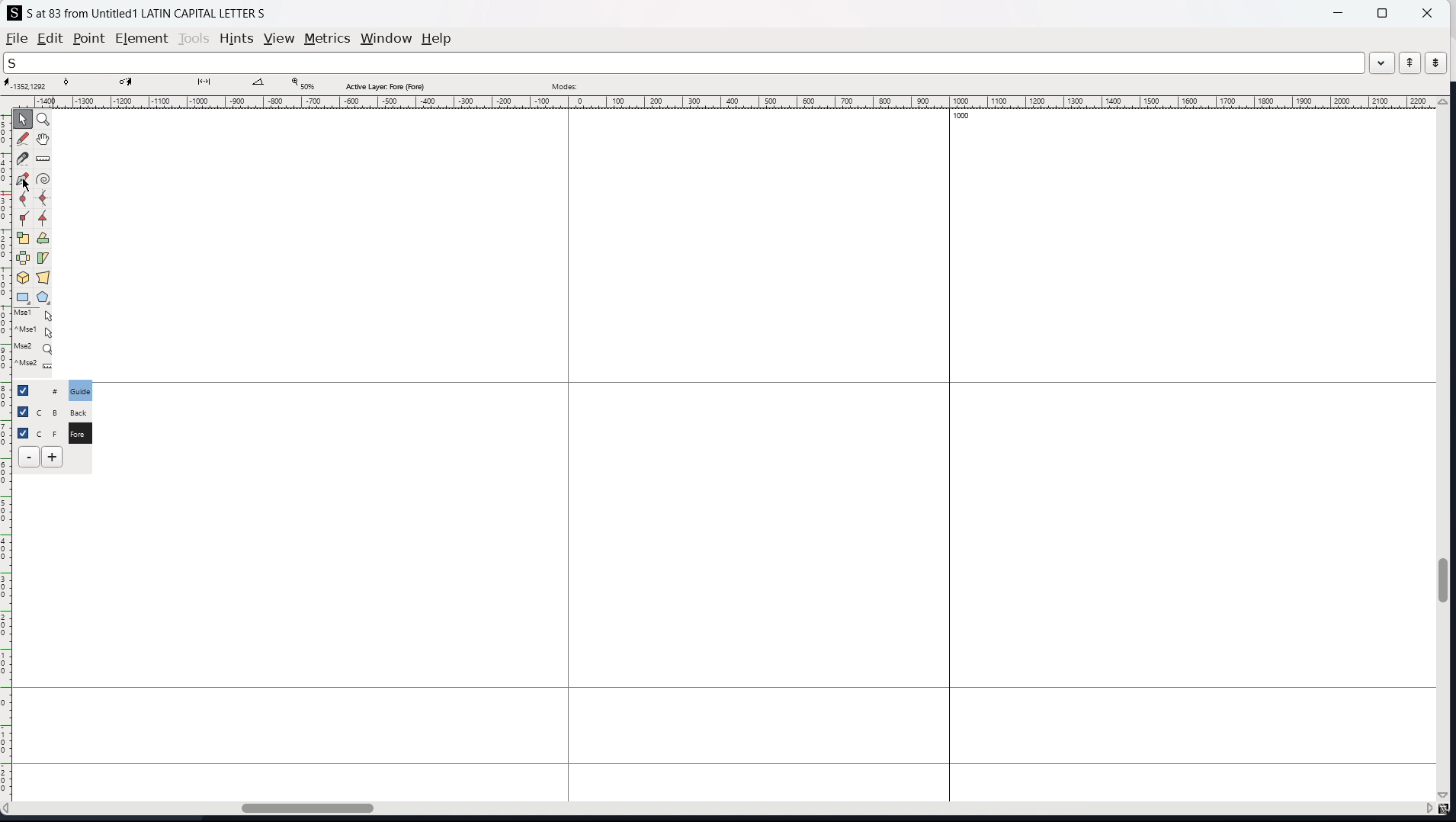 The width and height of the screenshot is (1456, 822). I want to click on pointer, so click(24, 119).